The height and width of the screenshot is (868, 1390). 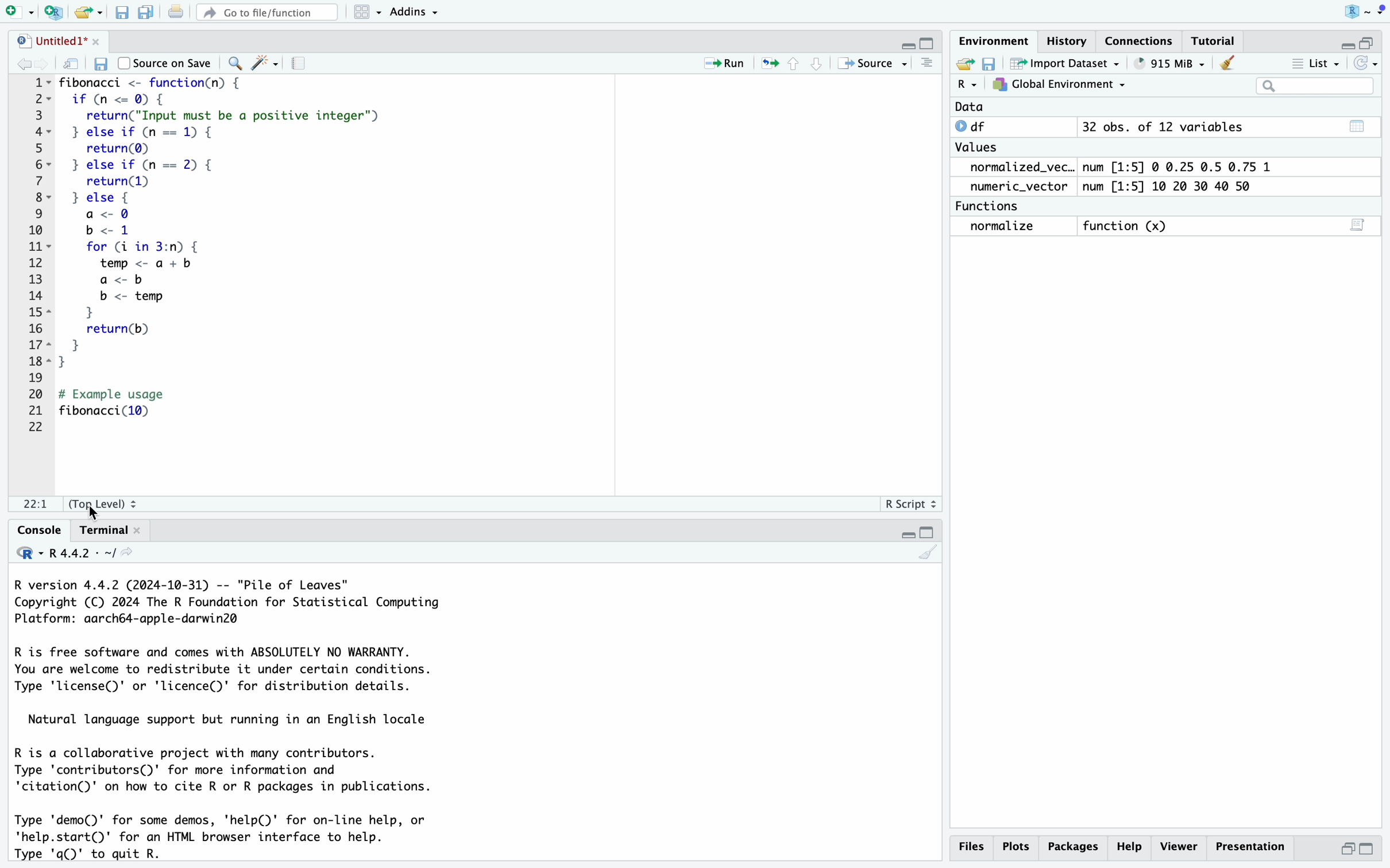 What do you see at coordinates (1018, 166) in the screenshot?
I see `normalized_vec..` at bounding box center [1018, 166].